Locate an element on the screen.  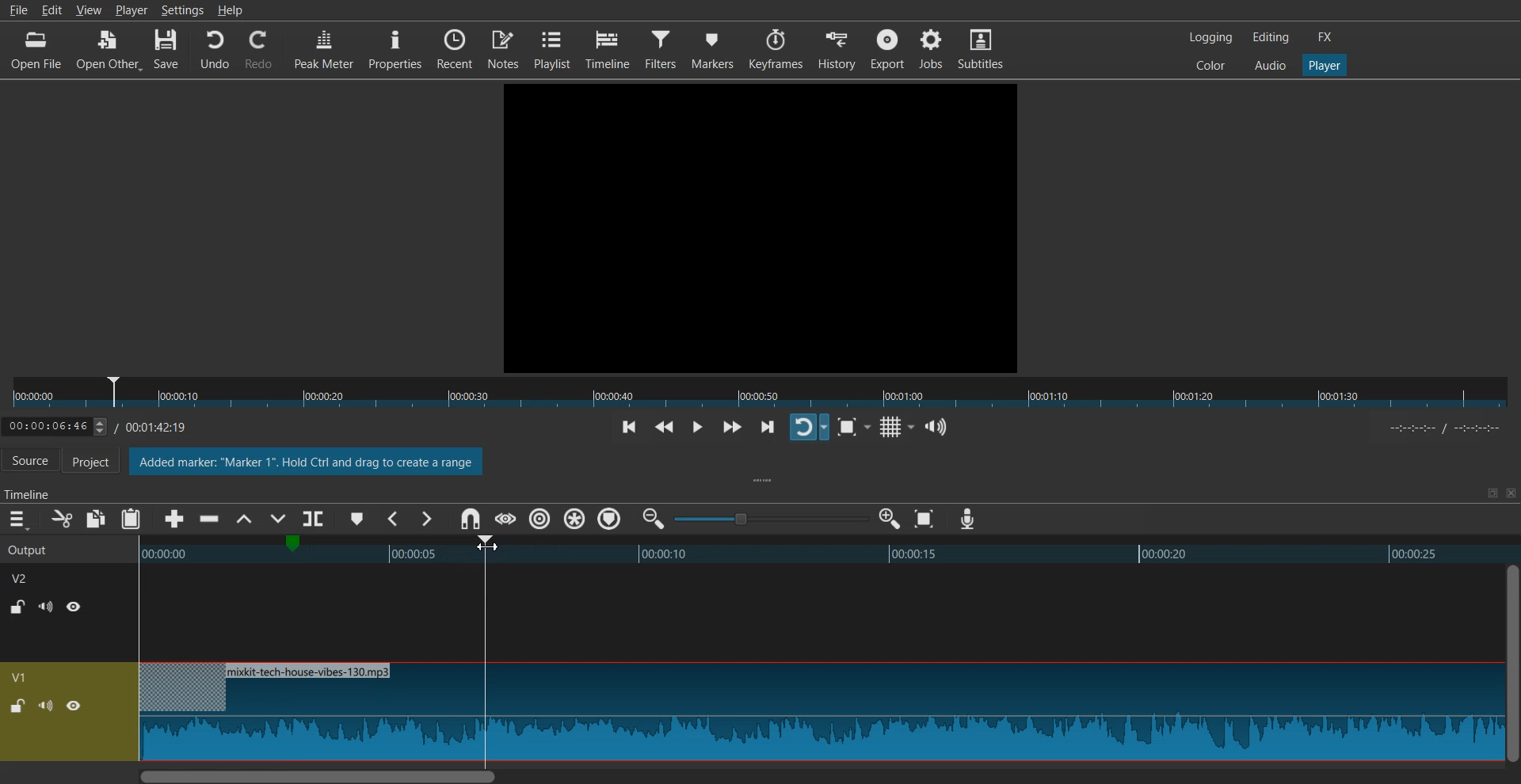
Skip to previous point is located at coordinates (629, 428).